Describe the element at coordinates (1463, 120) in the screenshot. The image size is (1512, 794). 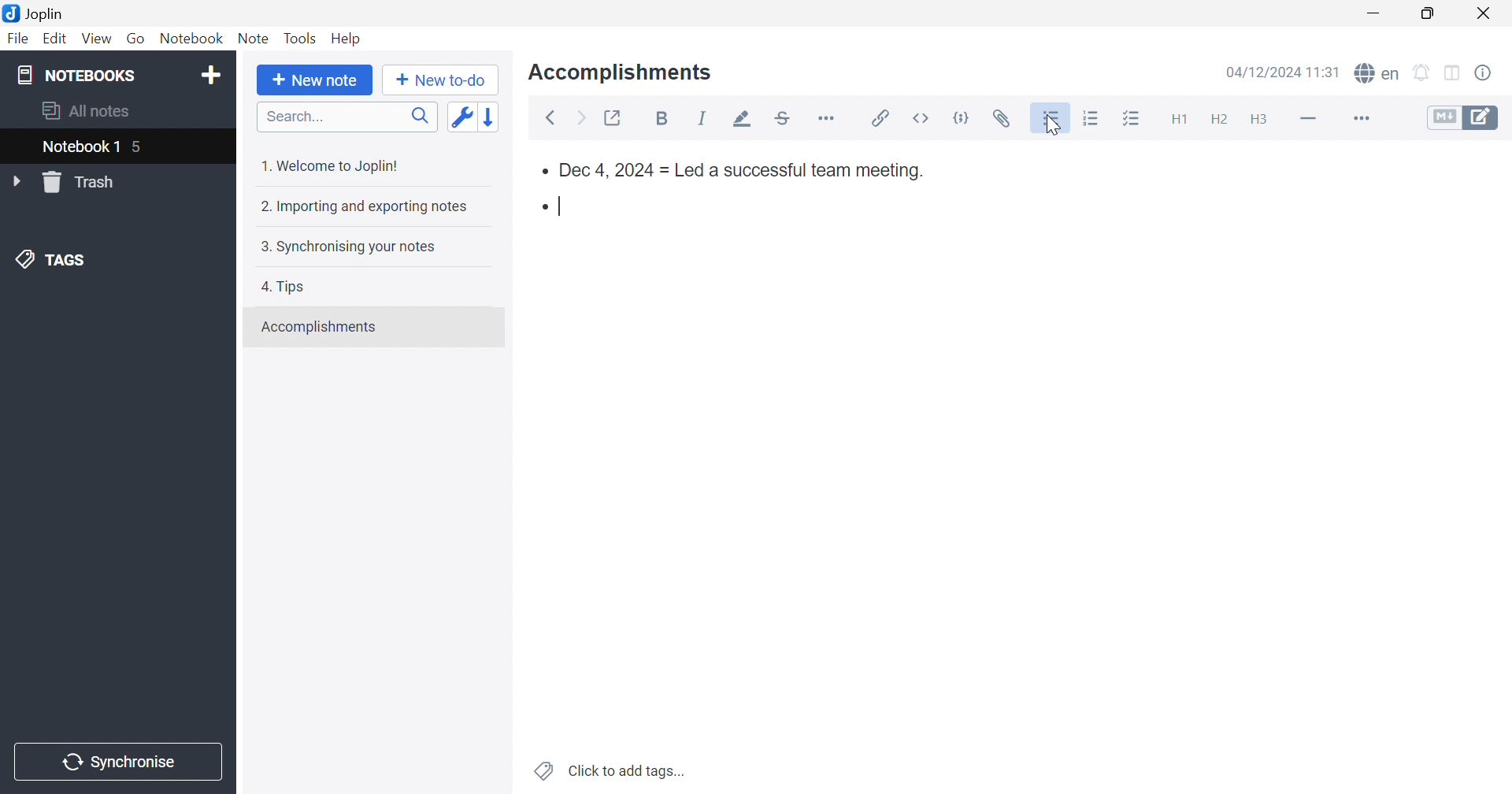
I see `Toggle editors` at that location.